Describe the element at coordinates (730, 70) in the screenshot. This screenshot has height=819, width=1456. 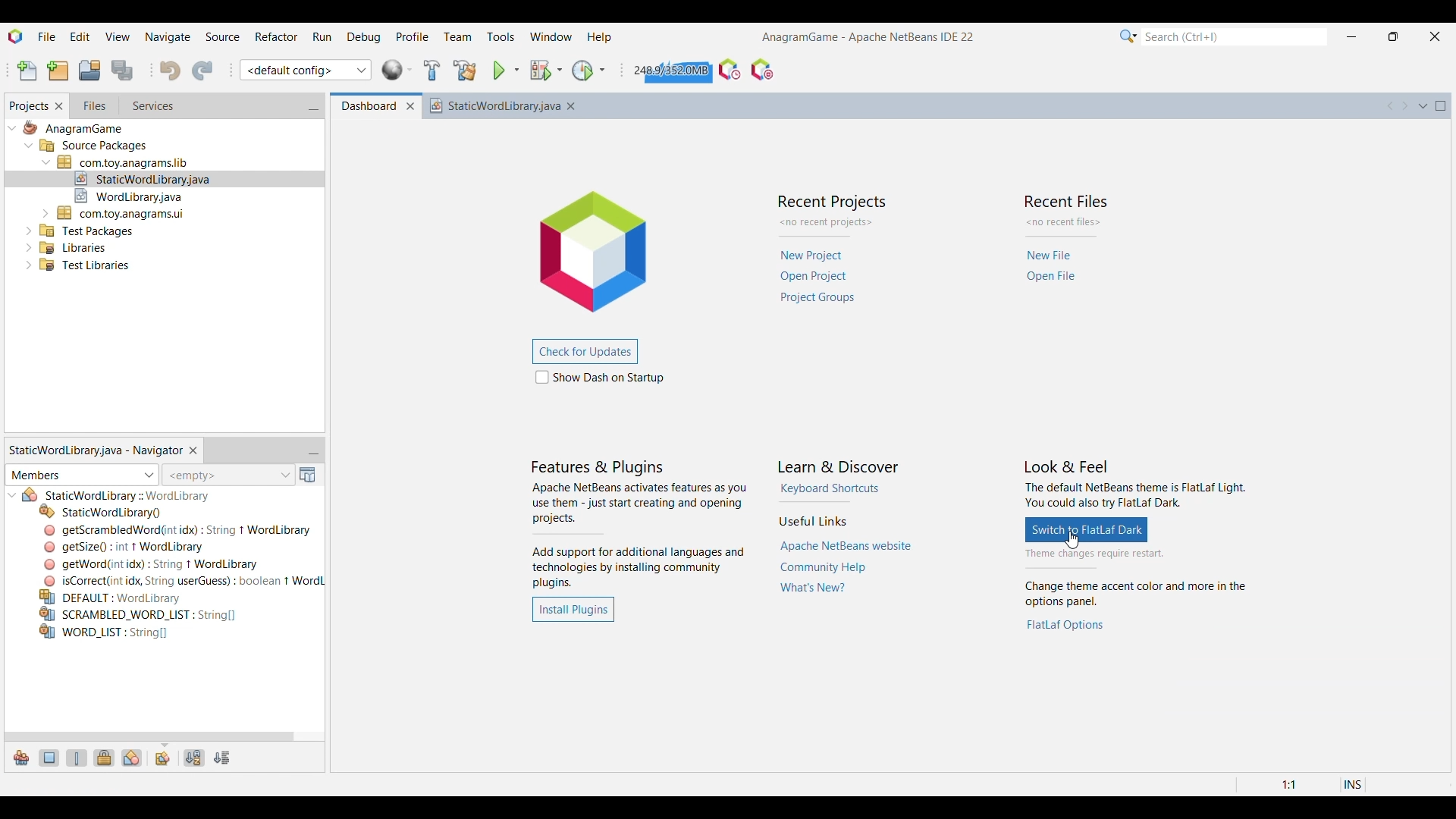
I see `Profile UDE` at that location.